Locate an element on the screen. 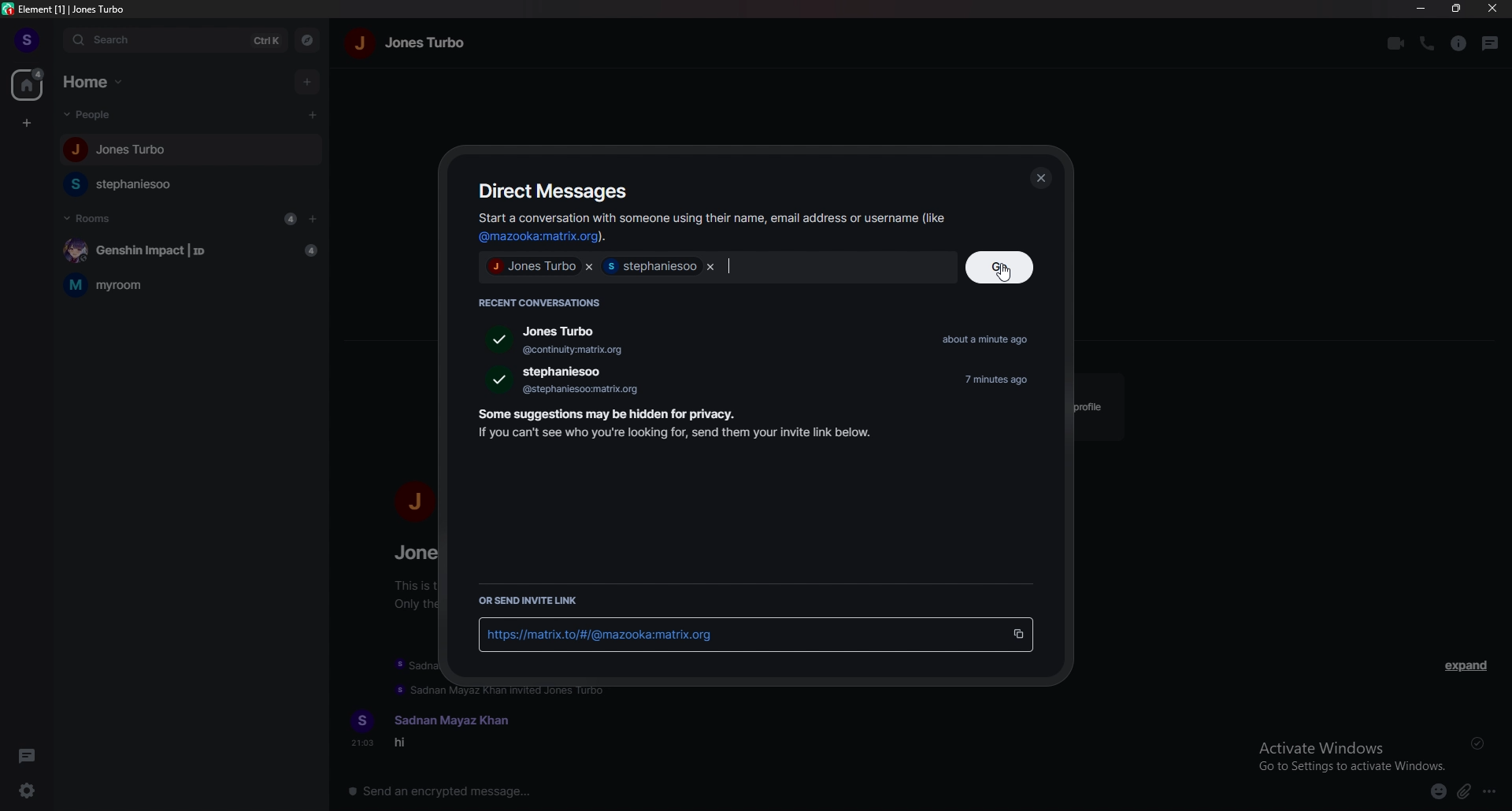 This screenshot has height=811, width=1512. Activate Windows
Go to Settings to activate Windows. is located at coordinates (1353, 754).